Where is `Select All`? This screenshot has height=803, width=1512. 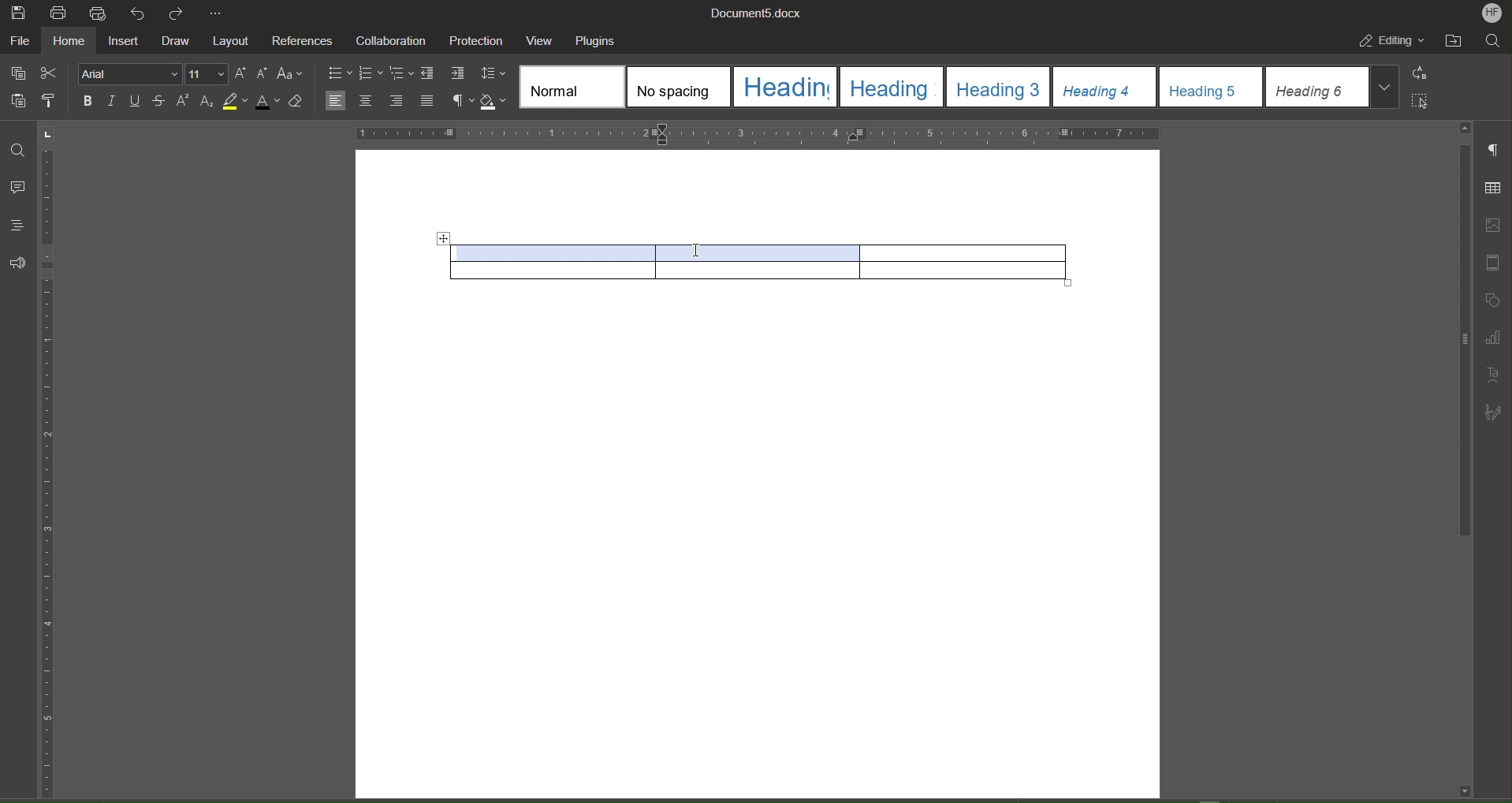 Select All is located at coordinates (1424, 101).